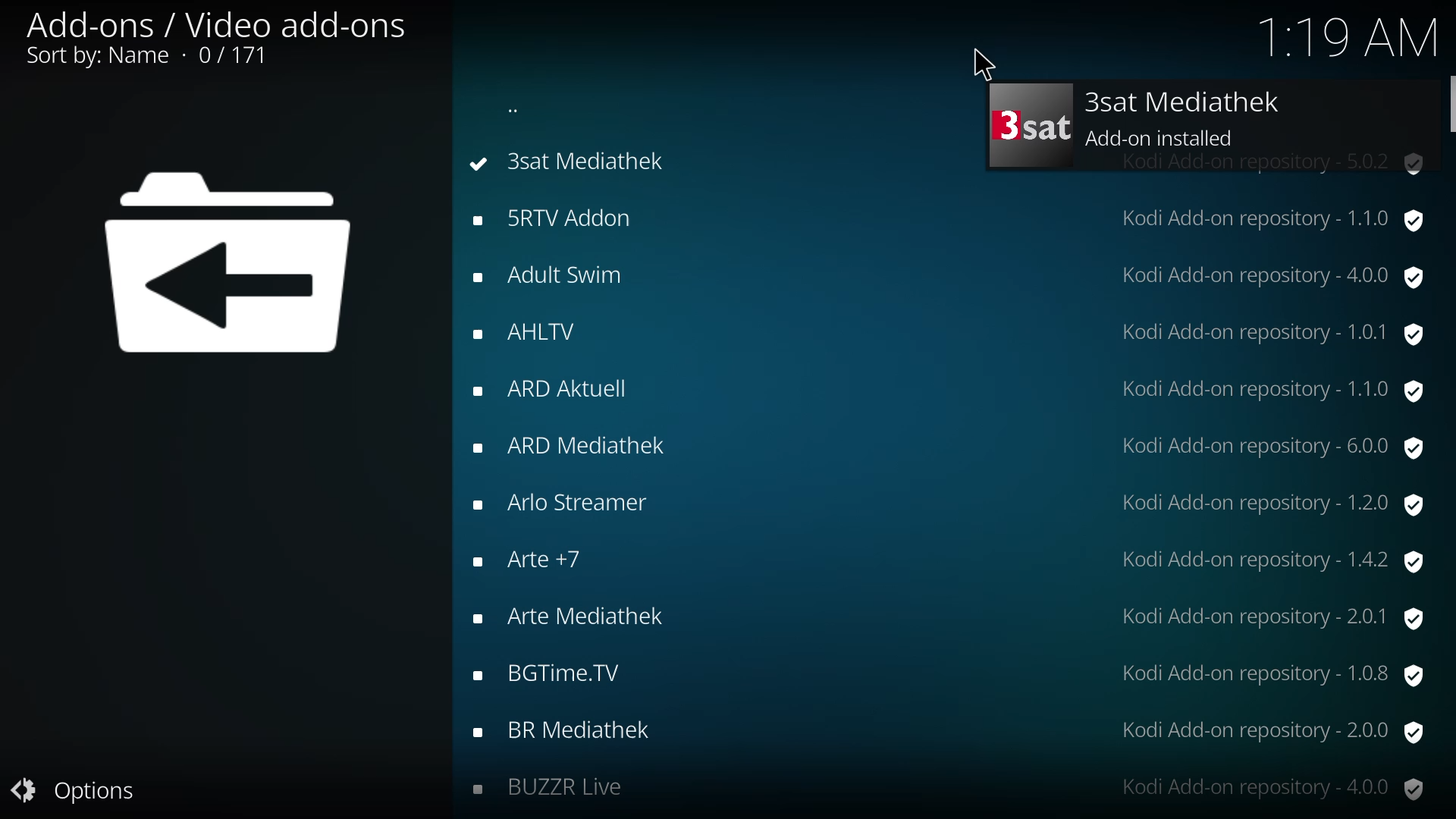 The height and width of the screenshot is (819, 1456). I want to click on version, so click(1266, 730).